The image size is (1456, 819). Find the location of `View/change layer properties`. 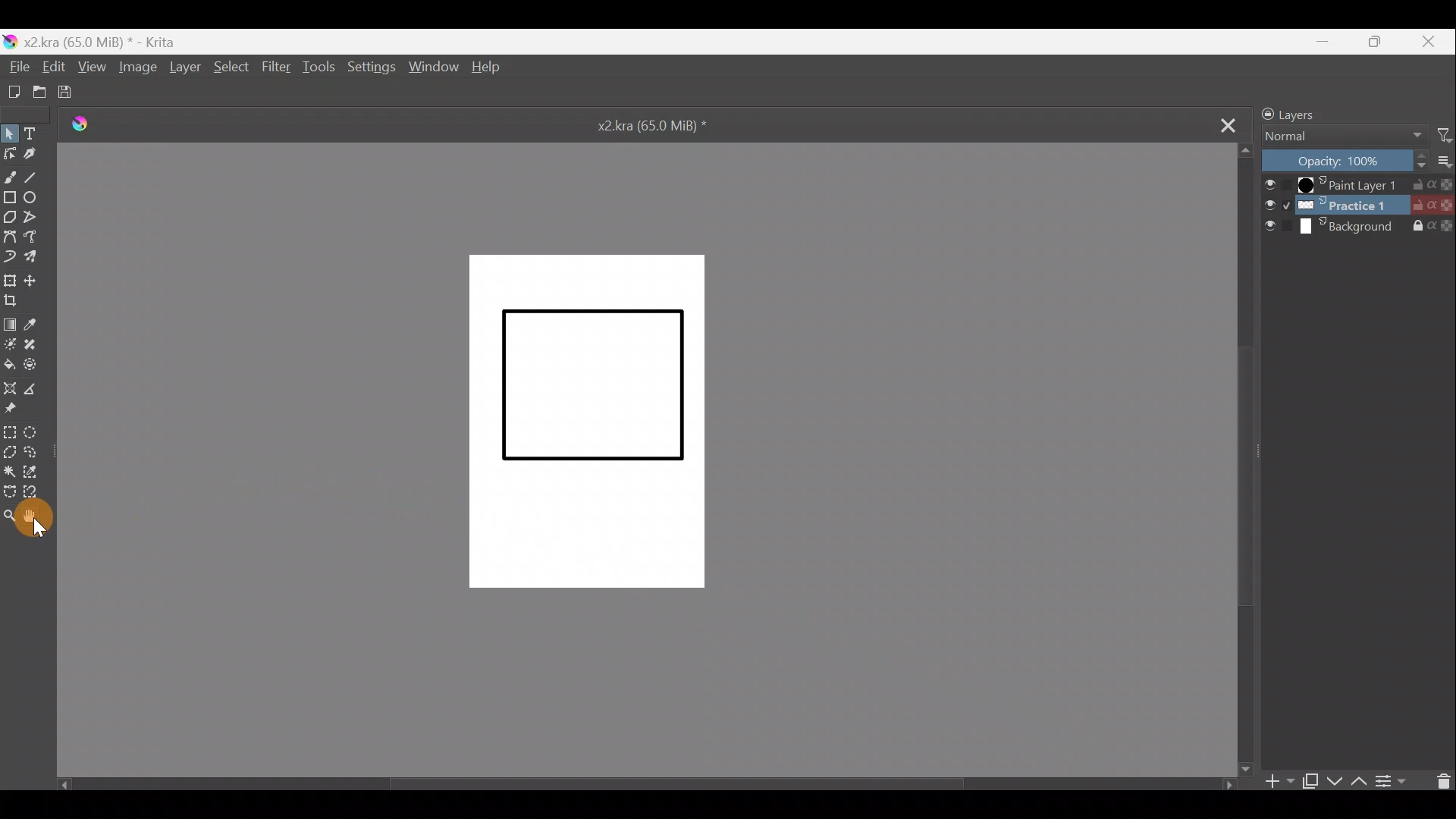

View/change layer properties is located at coordinates (1393, 781).